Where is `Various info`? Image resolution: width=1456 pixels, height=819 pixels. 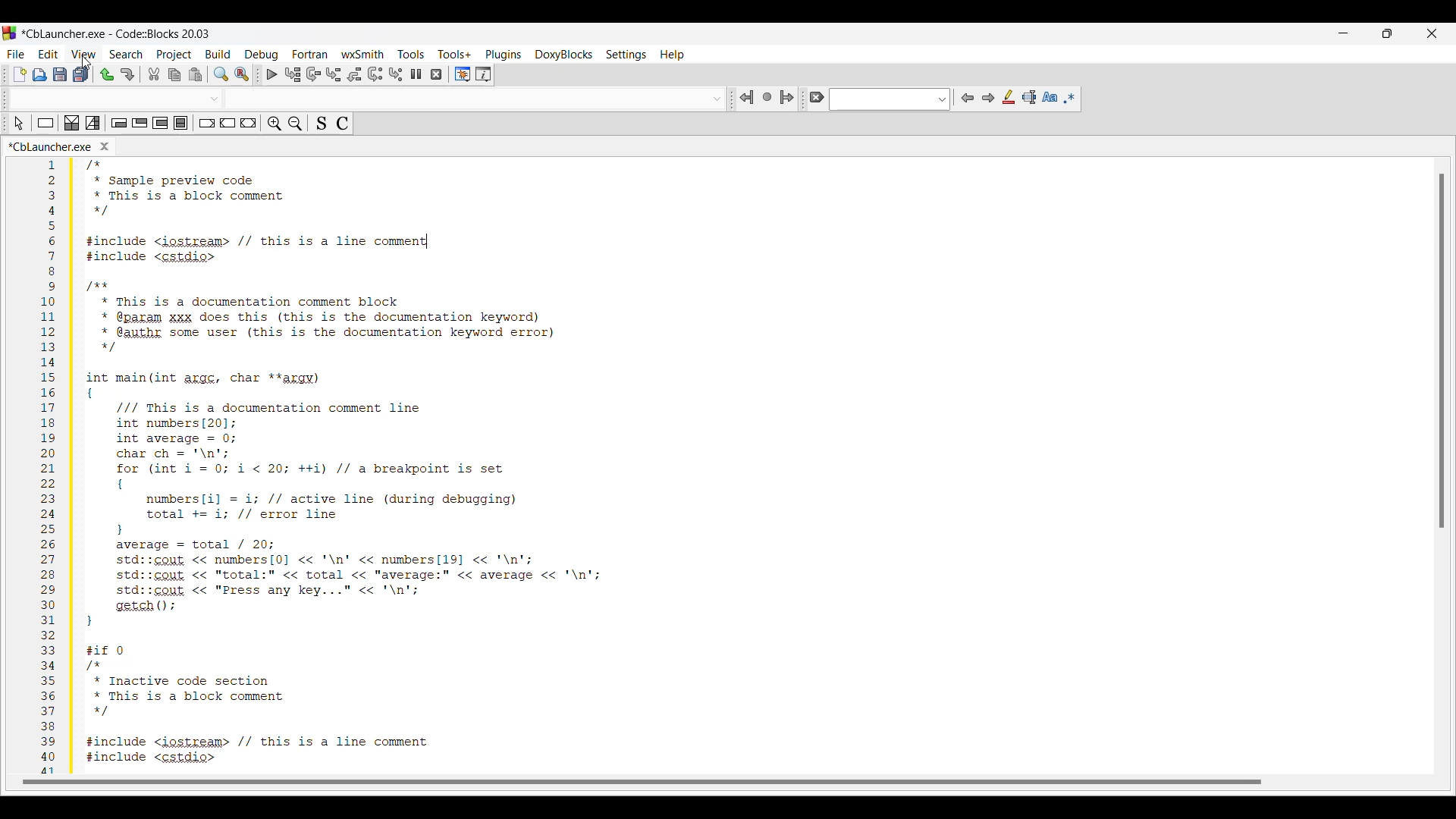 Various info is located at coordinates (483, 74).